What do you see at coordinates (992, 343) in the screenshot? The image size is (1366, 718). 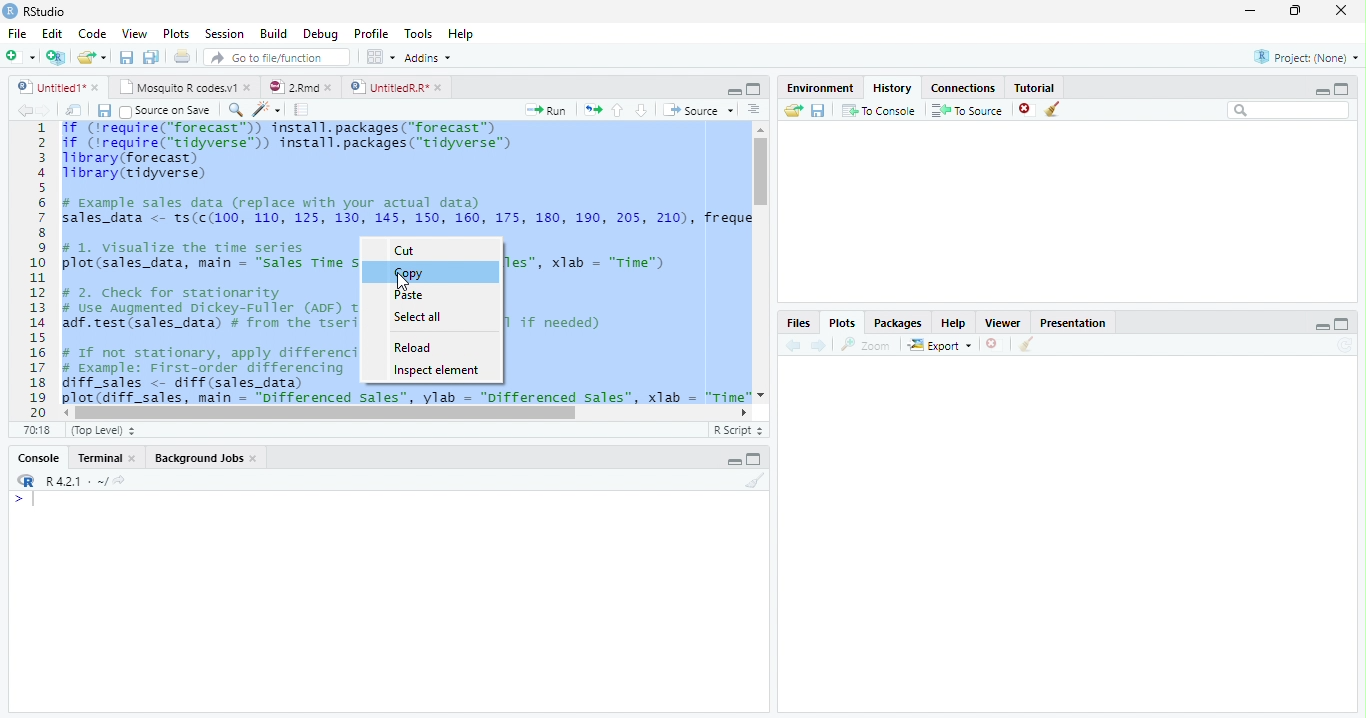 I see `Delete` at bounding box center [992, 343].